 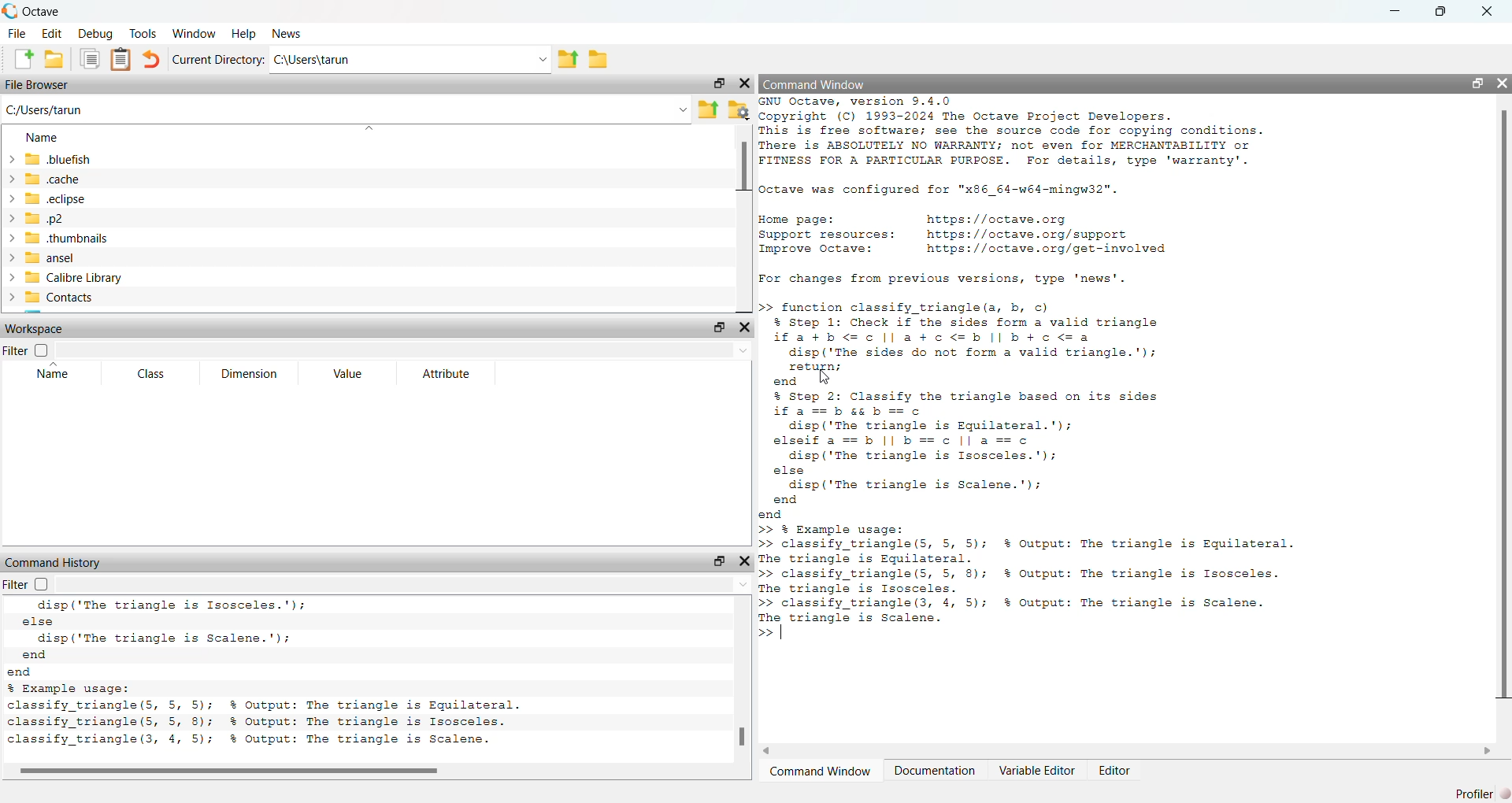 What do you see at coordinates (19, 59) in the screenshot?
I see `new script` at bounding box center [19, 59].